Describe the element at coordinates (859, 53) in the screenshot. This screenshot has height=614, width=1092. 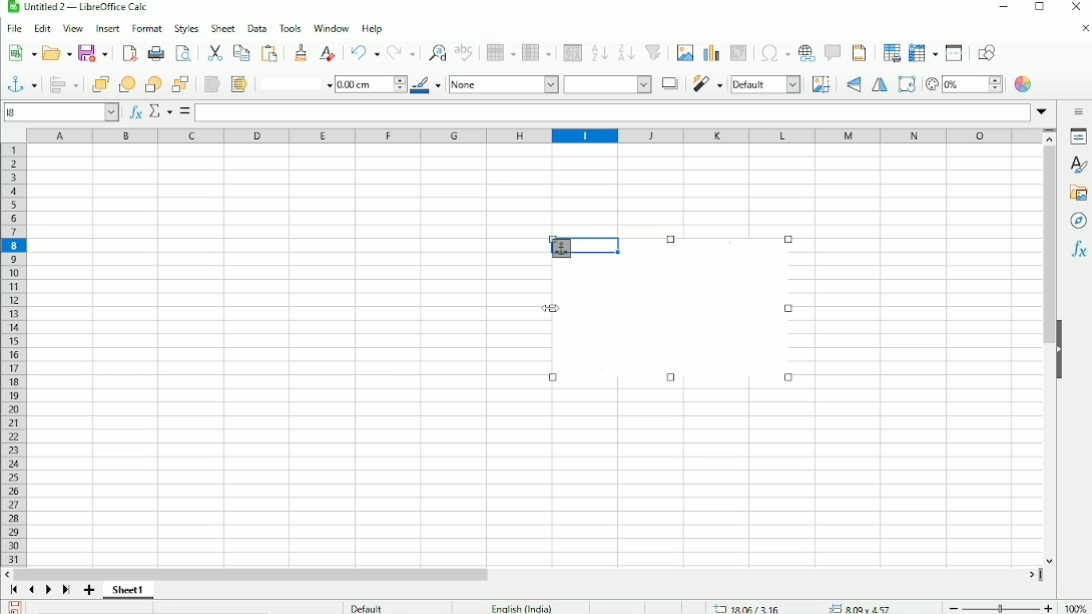
I see `Headers and footers` at that location.